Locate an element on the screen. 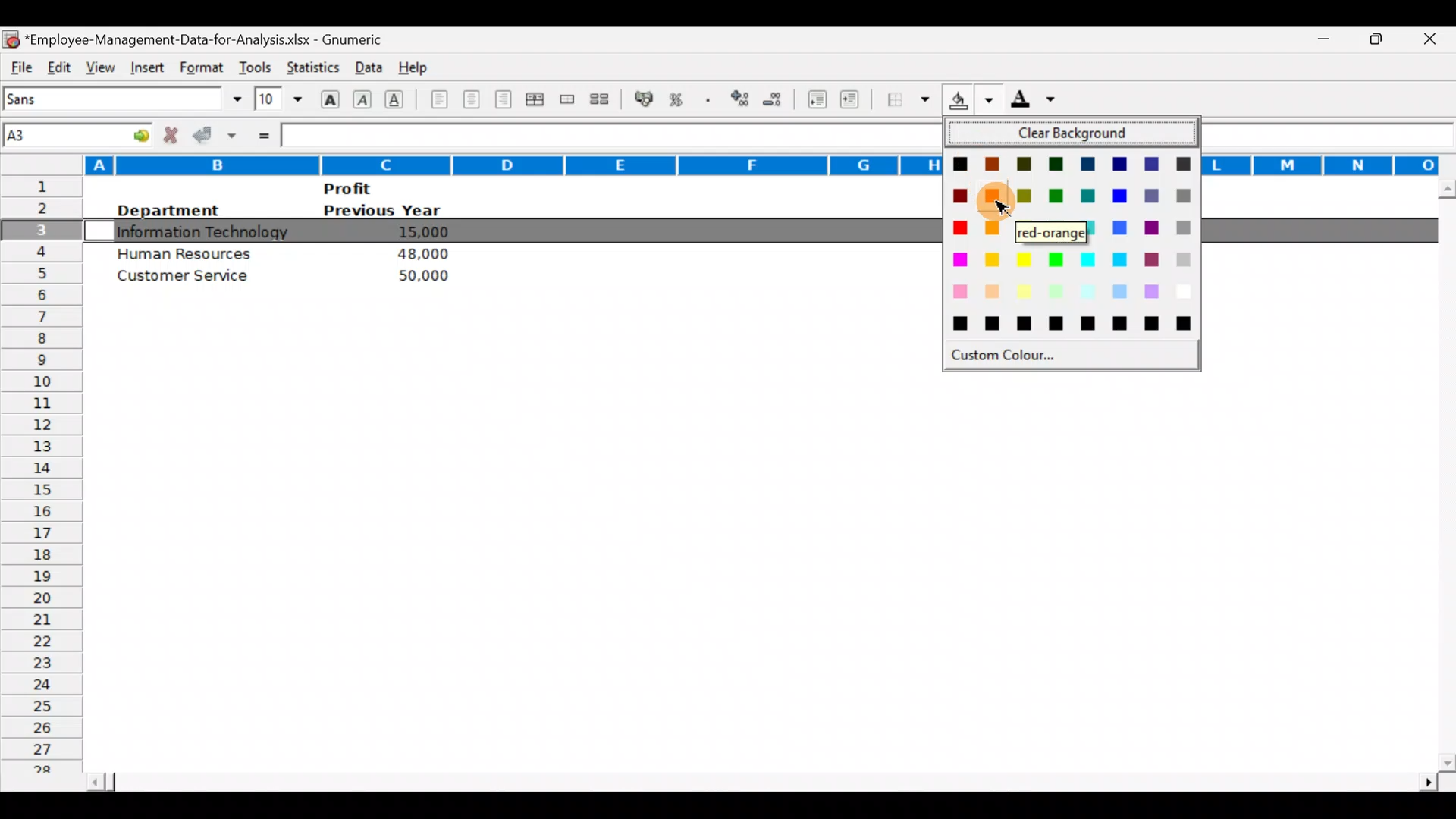  Close is located at coordinates (1435, 40).